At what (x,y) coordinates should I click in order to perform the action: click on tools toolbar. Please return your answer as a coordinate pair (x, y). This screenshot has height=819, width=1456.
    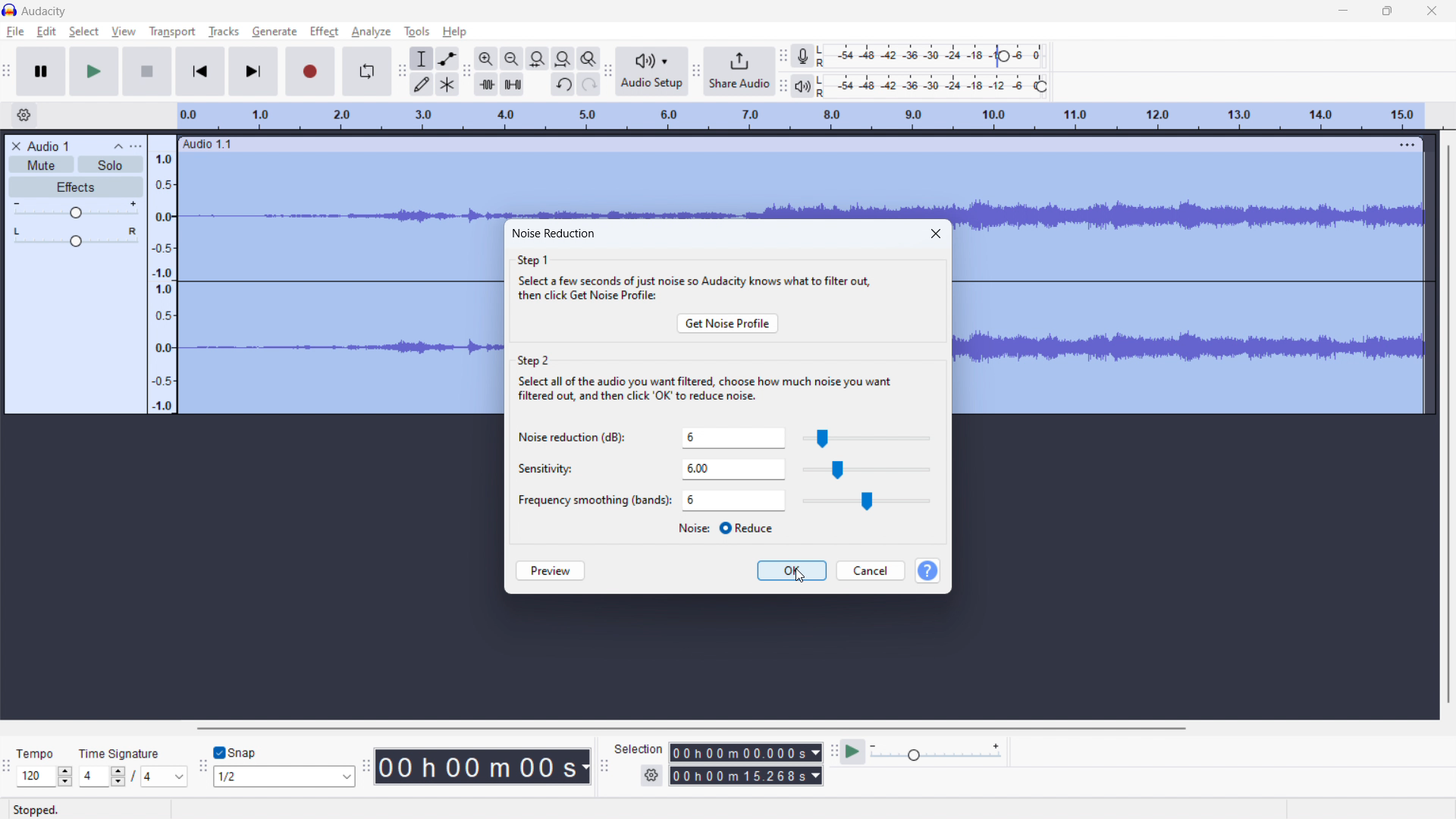
    Looking at the image, I should click on (402, 71).